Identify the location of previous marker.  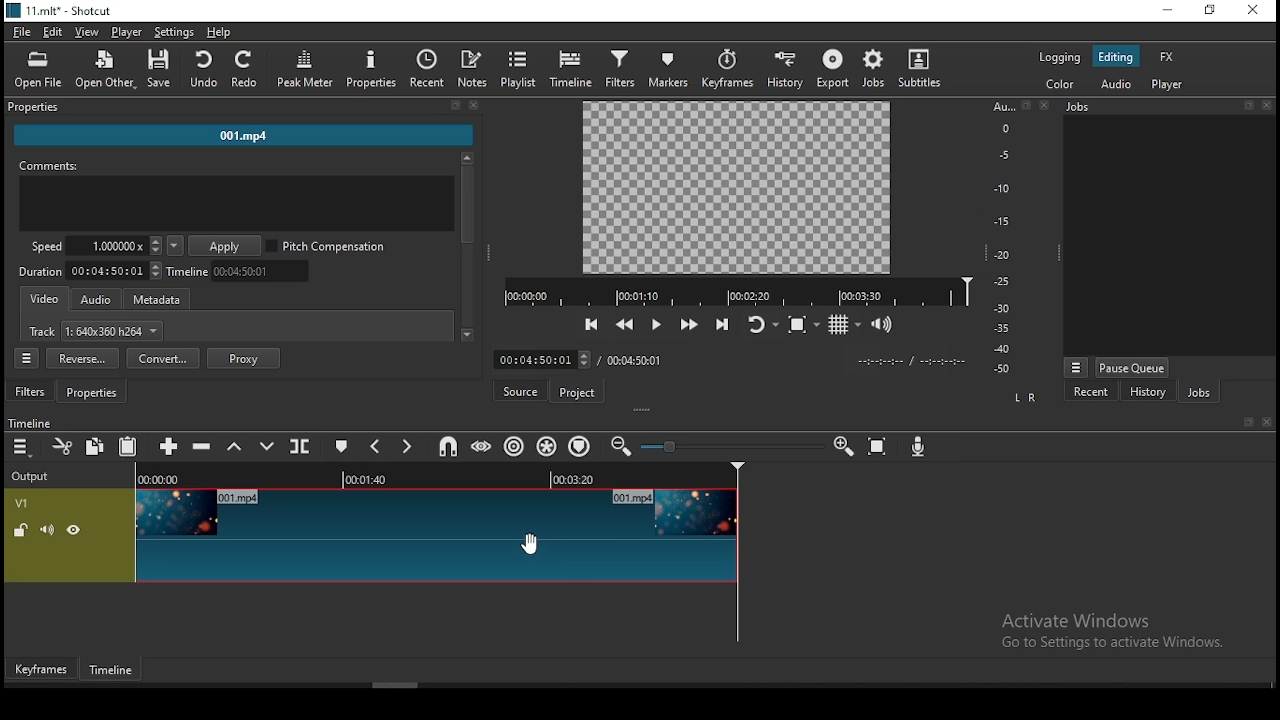
(380, 447).